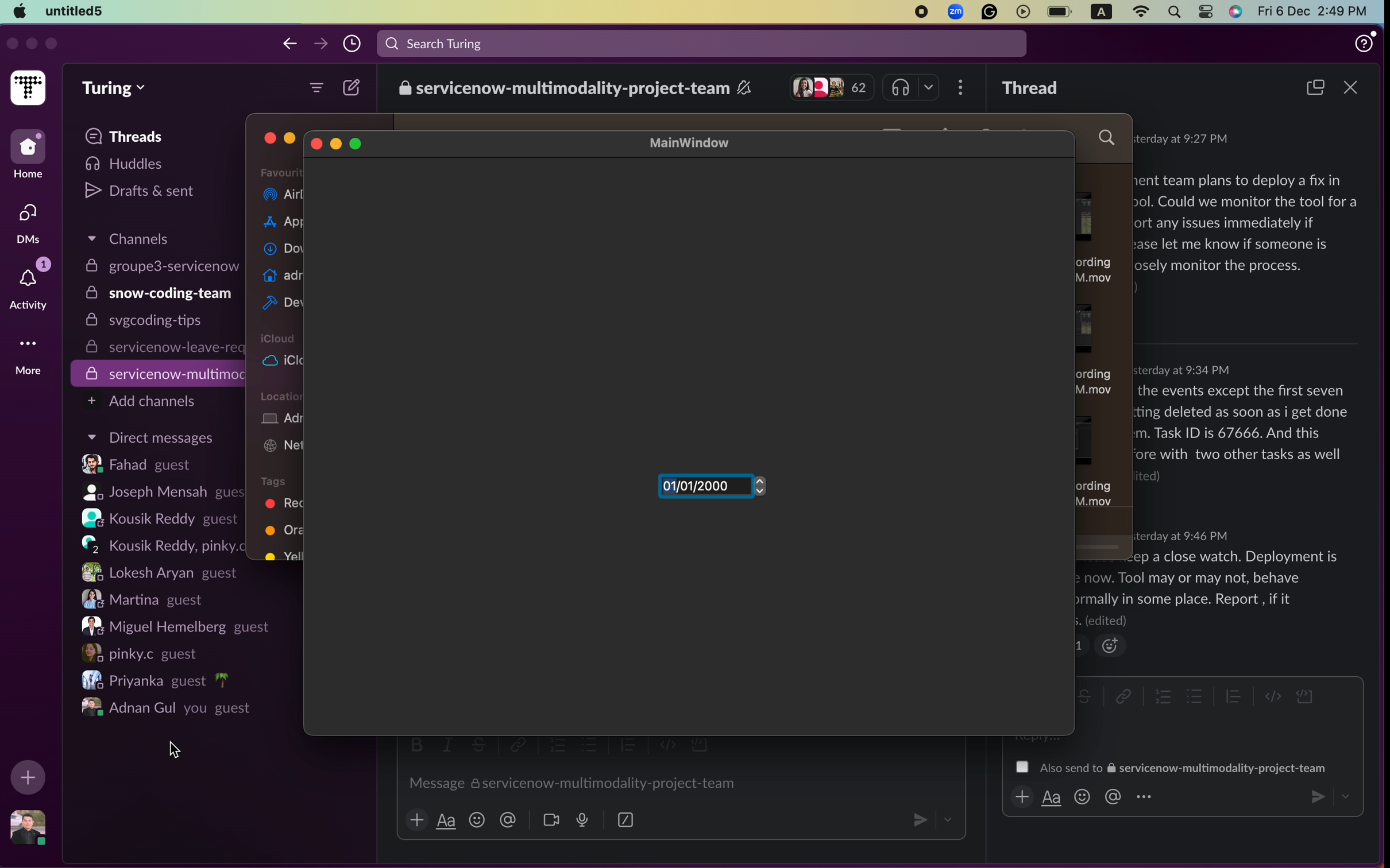  What do you see at coordinates (146, 599) in the screenshot?
I see `Martina` at bounding box center [146, 599].